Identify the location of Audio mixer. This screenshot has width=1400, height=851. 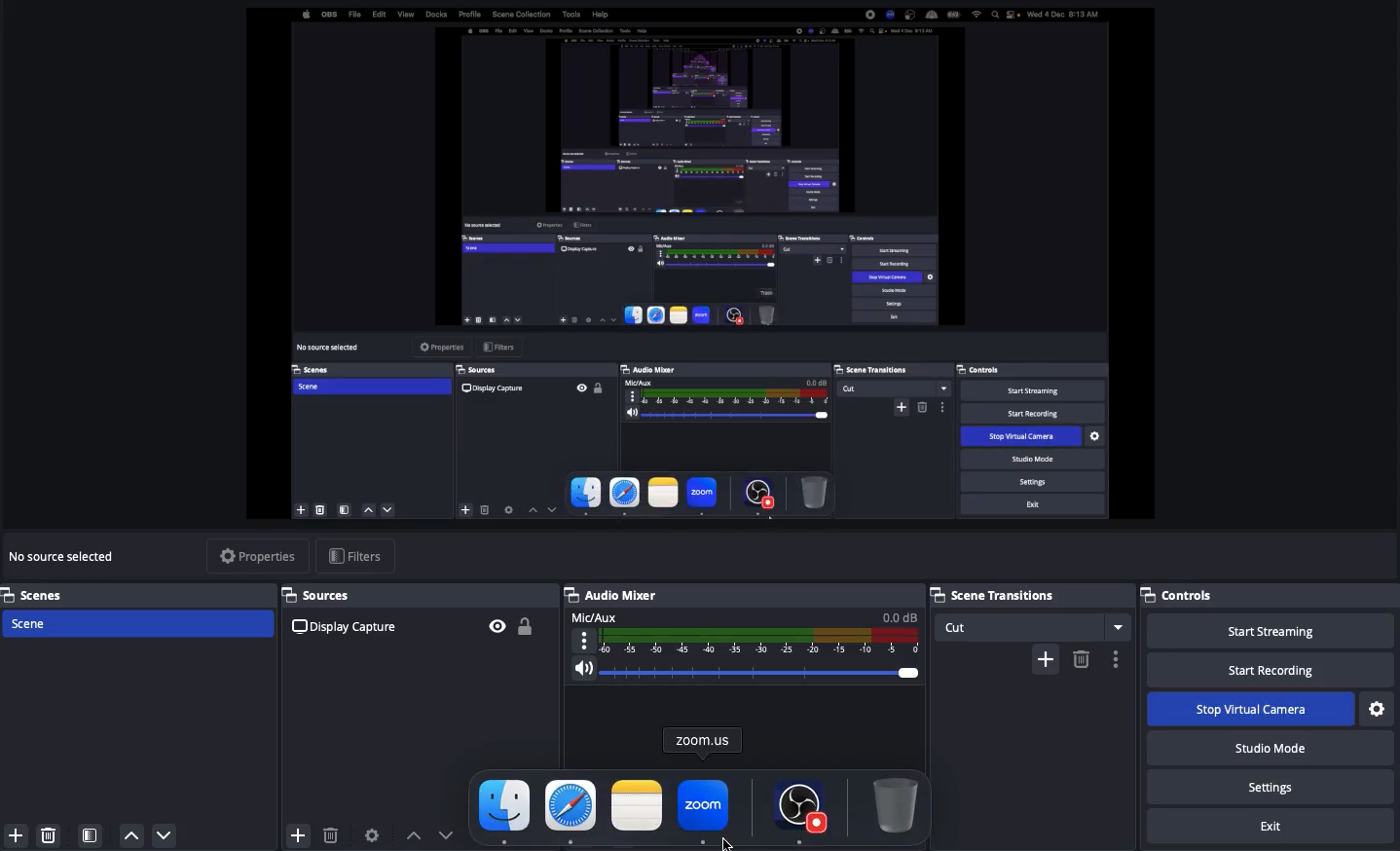
(614, 592).